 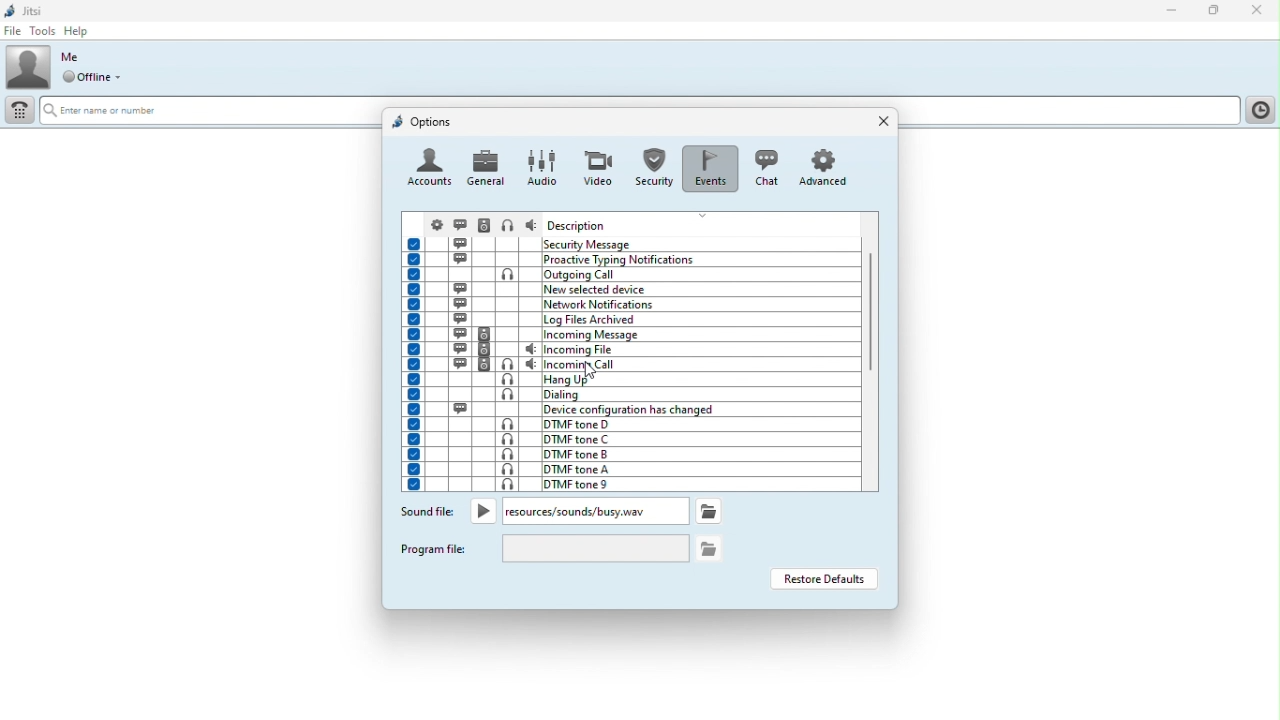 What do you see at coordinates (70, 67) in the screenshot?
I see `Profile picture and online status` at bounding box center [70, 67].